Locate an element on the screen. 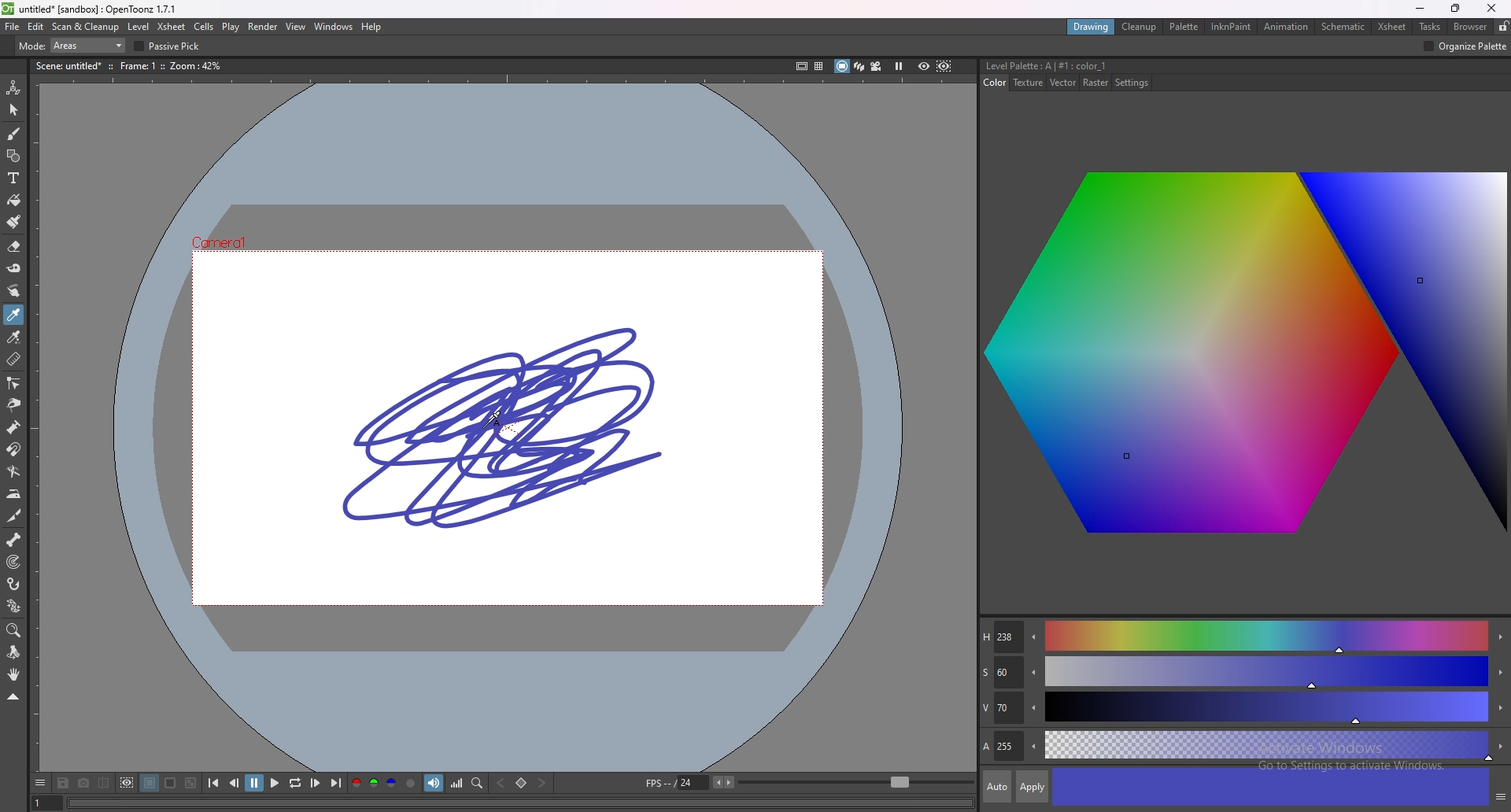 This screenshot has width=1511, height=812. schematic is located at coordinates (1344, 25).